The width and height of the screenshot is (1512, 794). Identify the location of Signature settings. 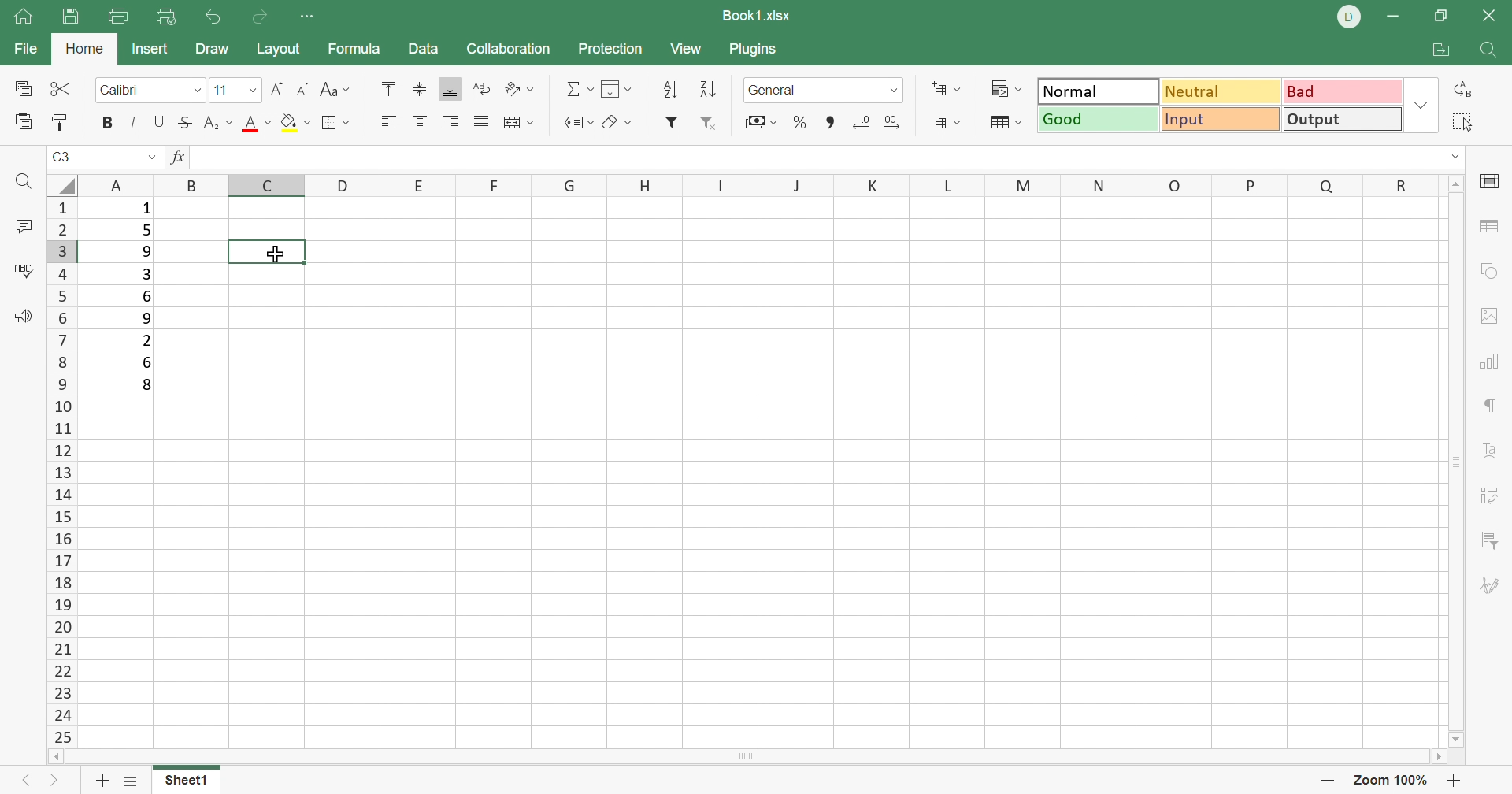
(1491, 584).